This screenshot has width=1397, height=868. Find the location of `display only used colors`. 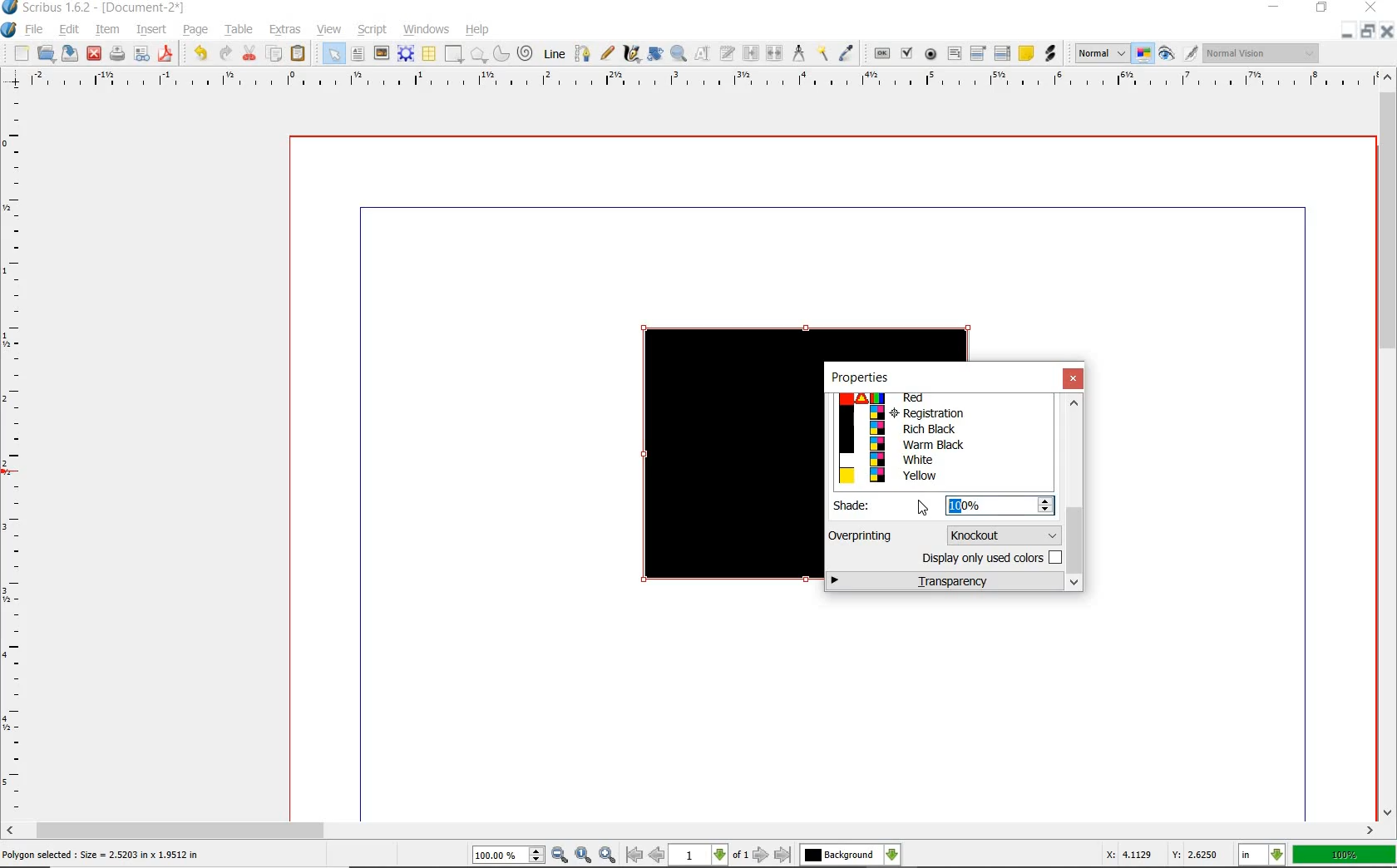

display only used colors is located at coordinates (990, 560).